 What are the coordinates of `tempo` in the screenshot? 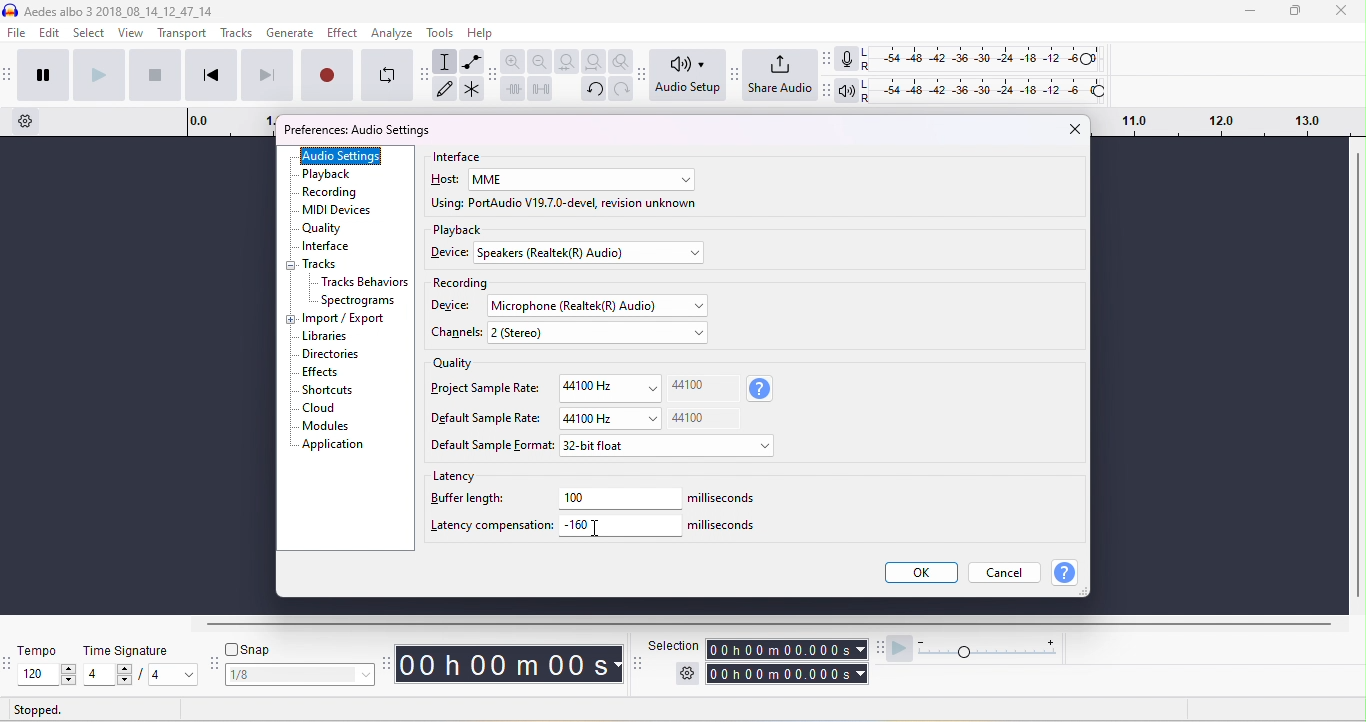 It's located at (40, 652).